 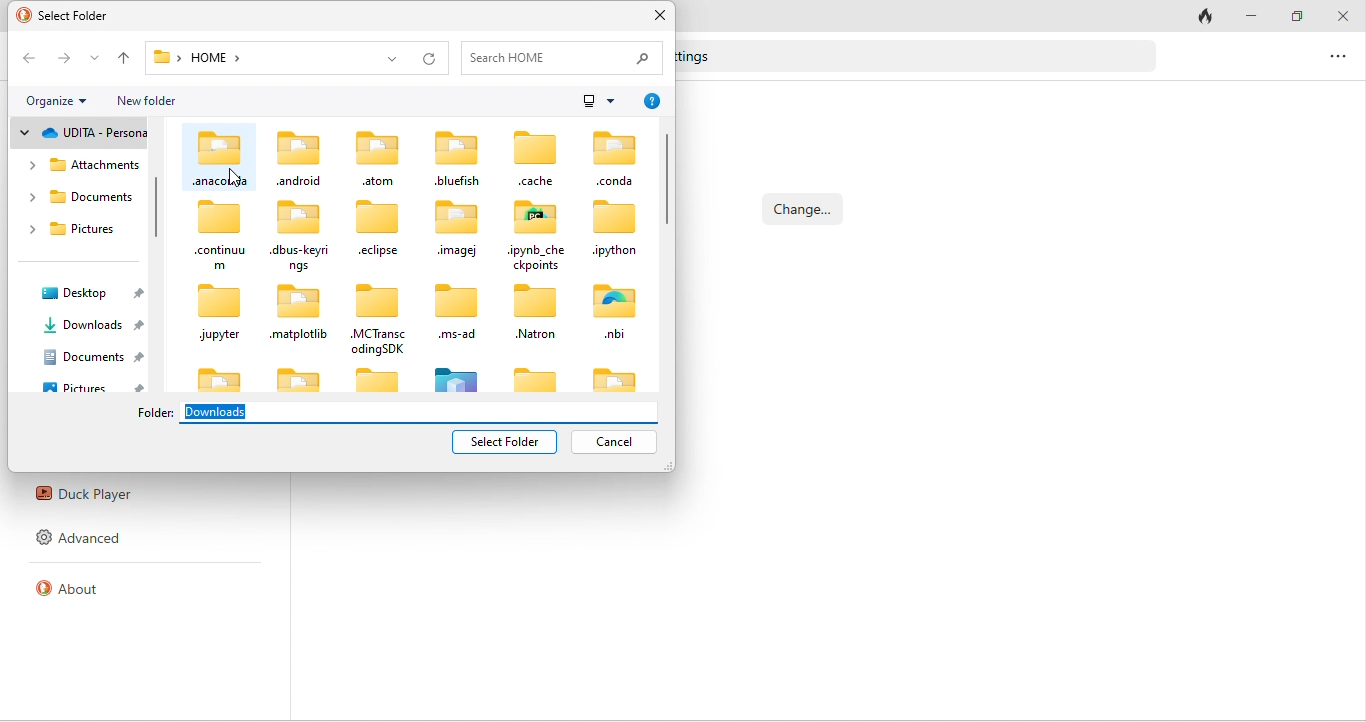 I want to click on icons, so click(x=417, y=376).